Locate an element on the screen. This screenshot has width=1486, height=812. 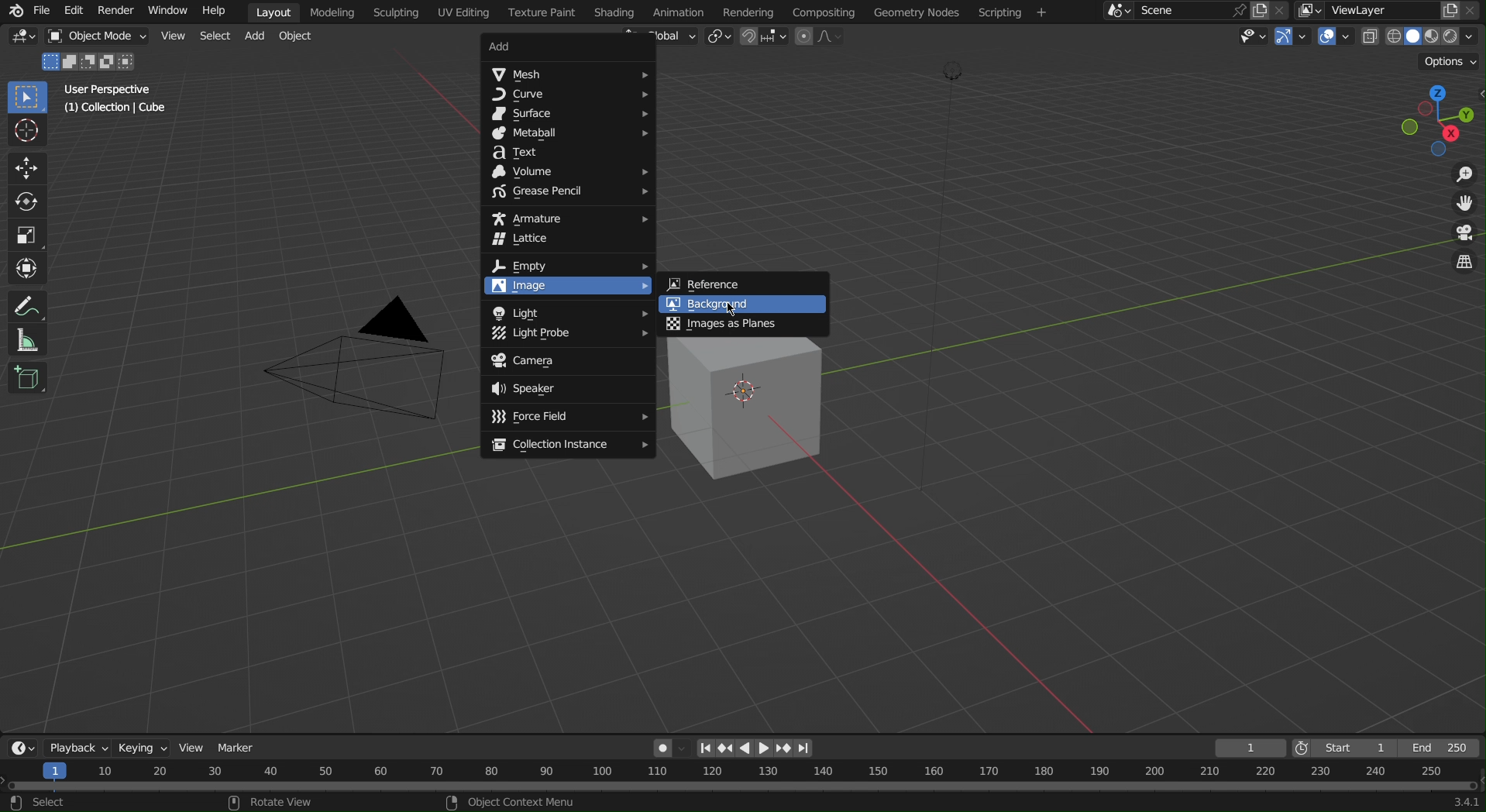
Metaball is located at coordinates (569, 135).